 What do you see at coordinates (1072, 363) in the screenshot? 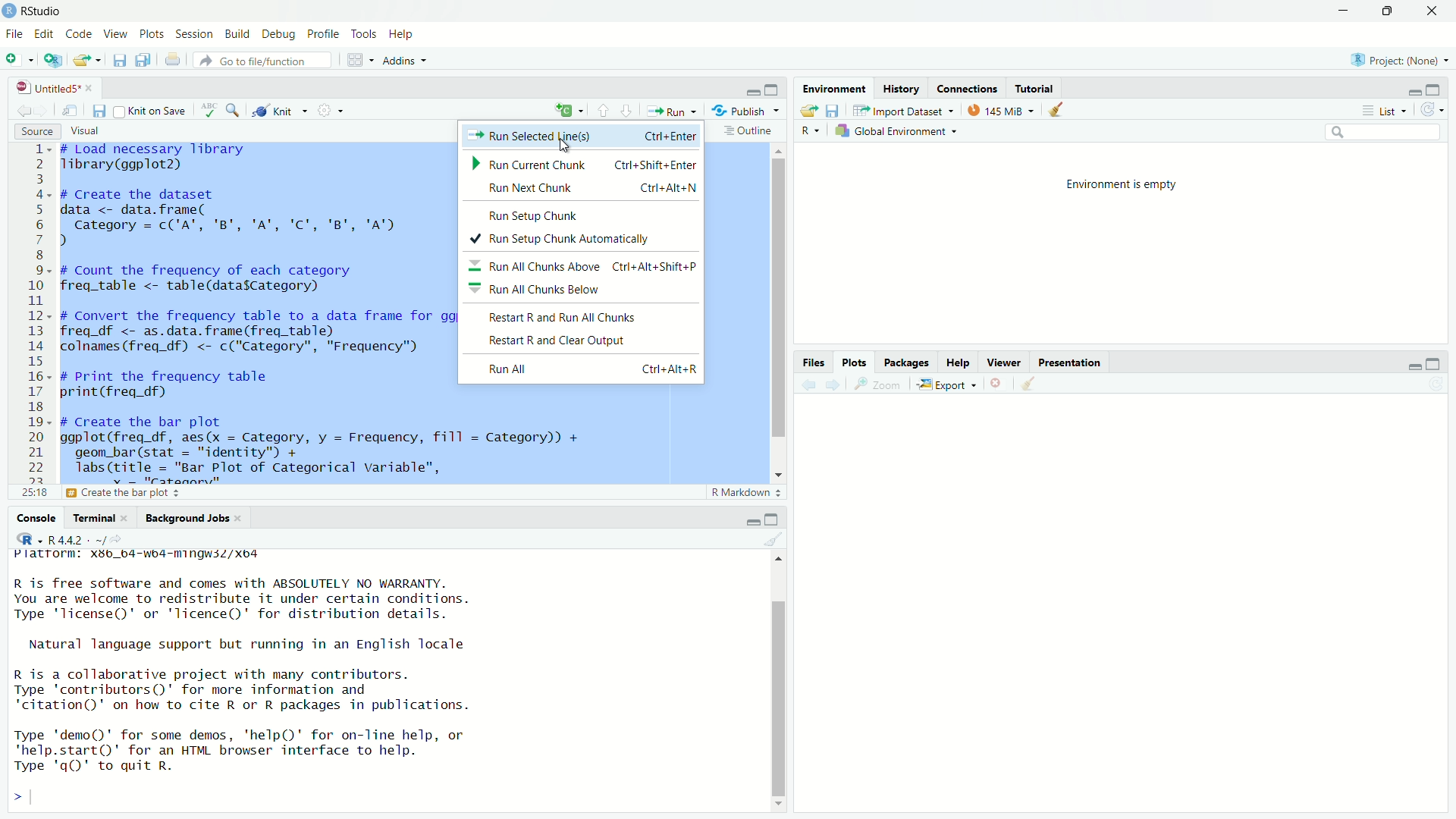
I see `presentation` at bounding box center [1072, 363].